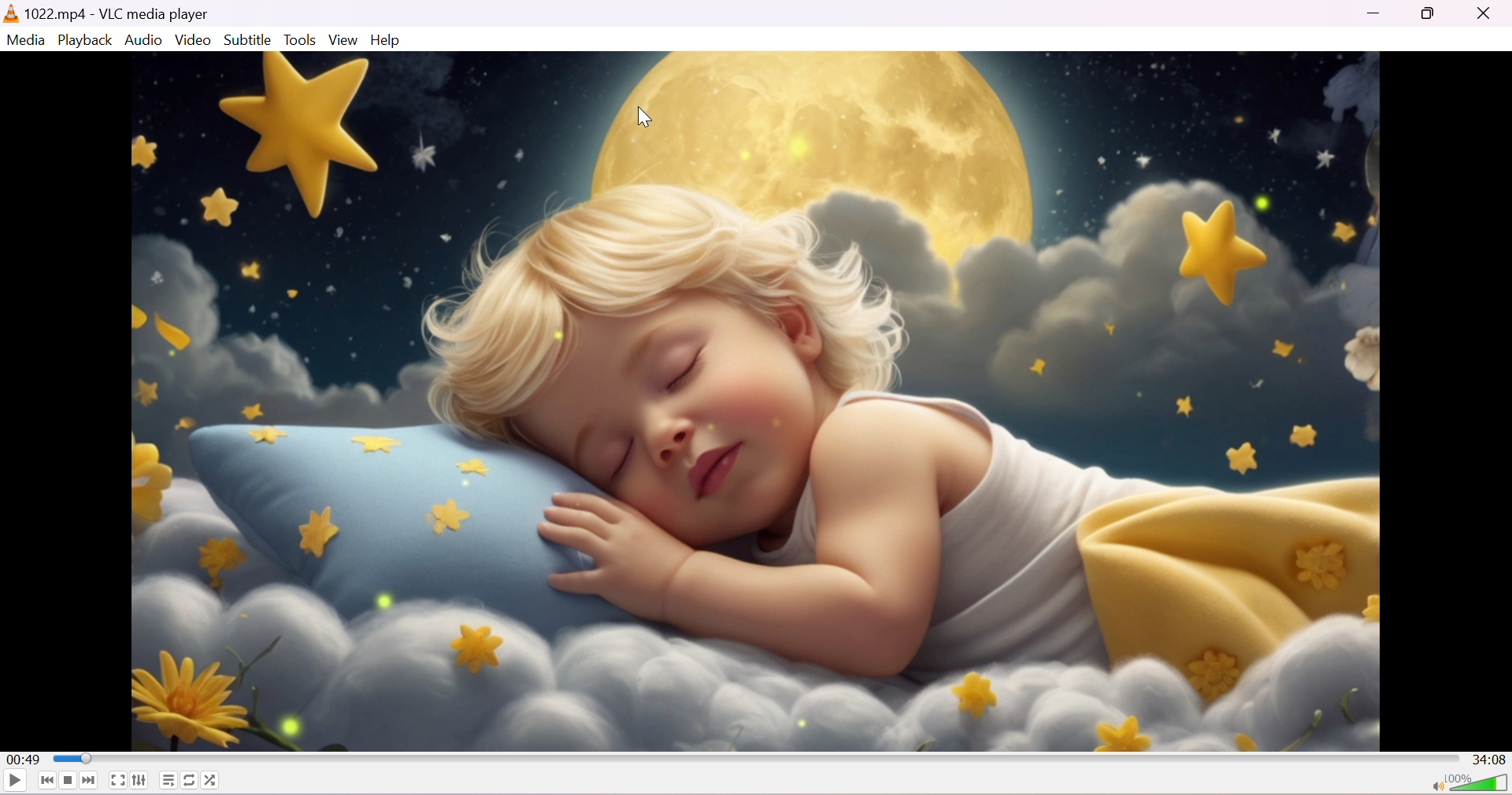 This screenshot has width=1512, height=795. What do you see at coordinates (13, 782) in the screenshot?
I see `Play` at bounding box center [13, 782].